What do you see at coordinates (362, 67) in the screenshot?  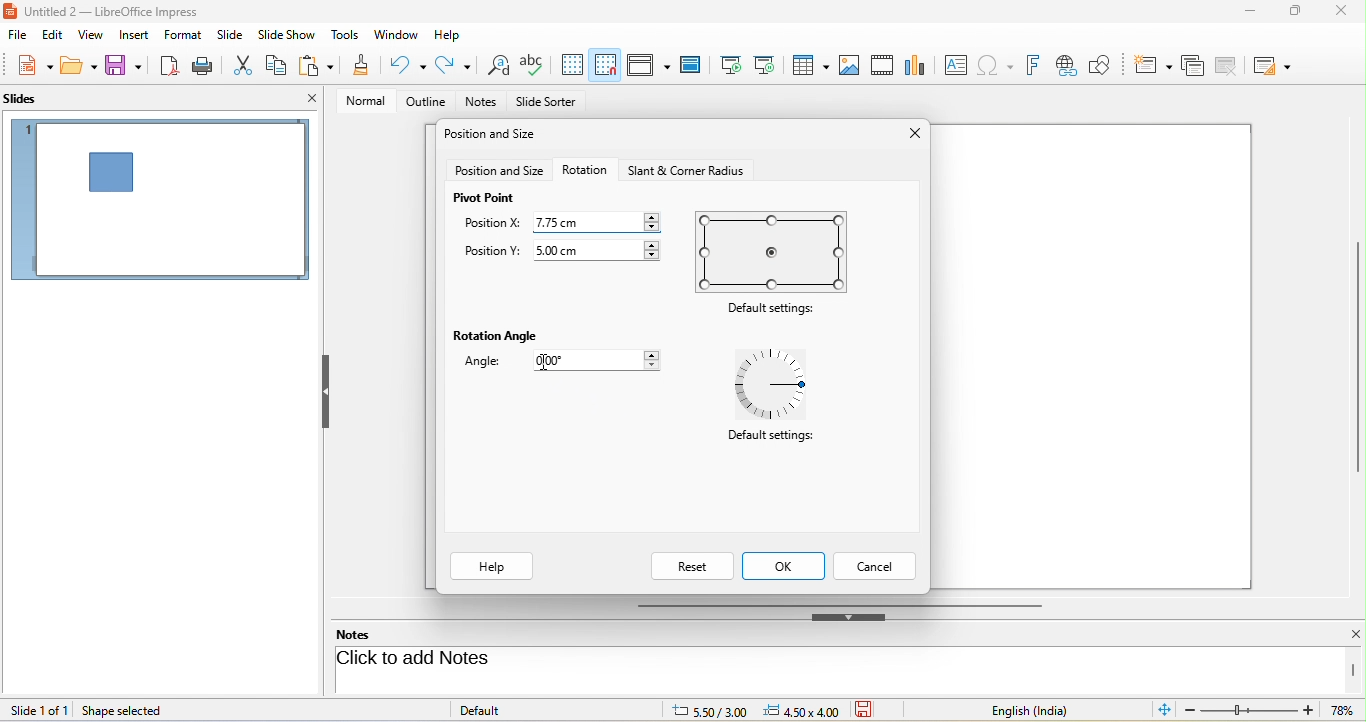 I see `clone formatting` at bounding box center [362, 67].